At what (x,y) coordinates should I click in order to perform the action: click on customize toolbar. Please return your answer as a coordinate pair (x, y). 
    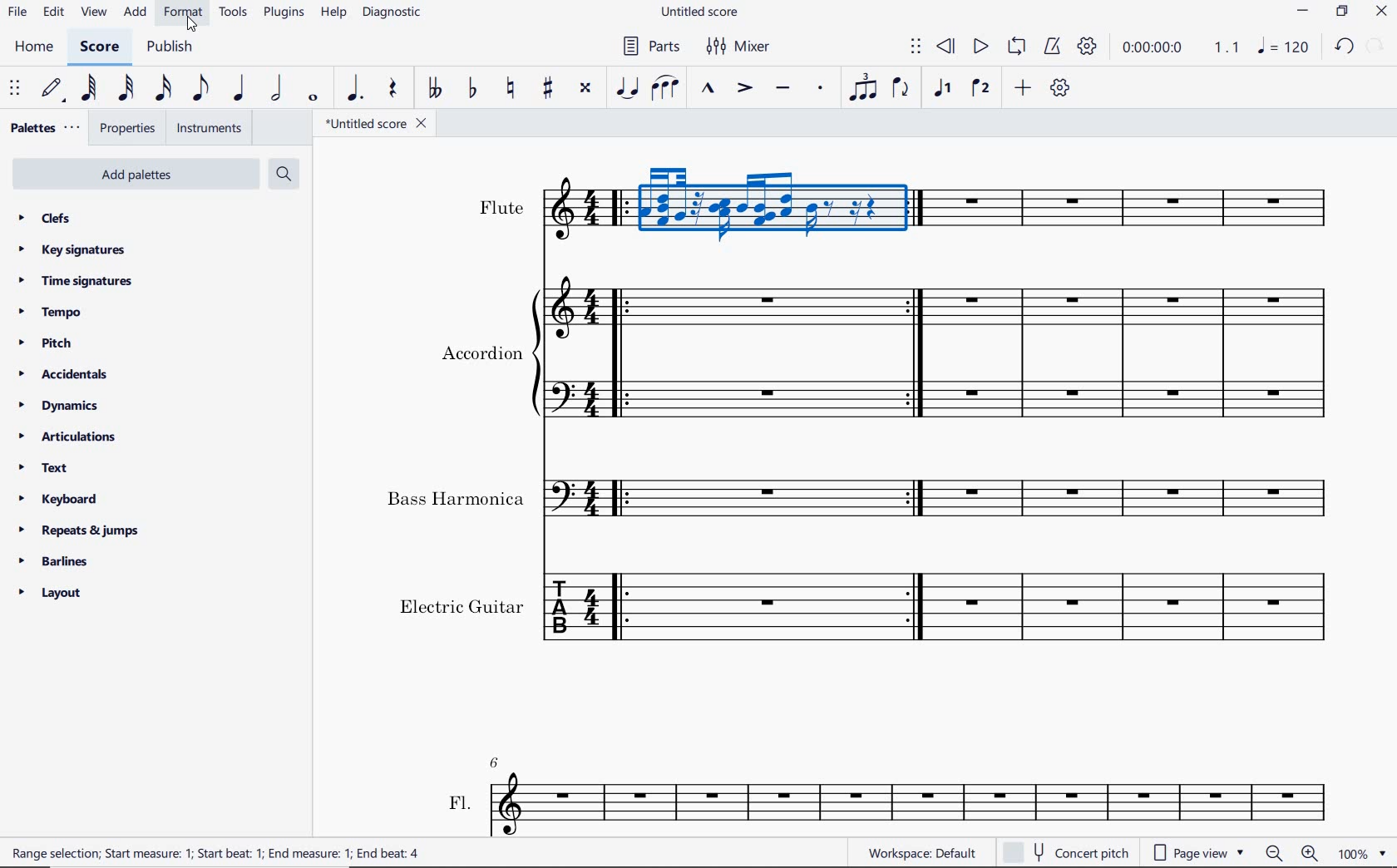
    Looking at the image, I should click on (1061, 87).